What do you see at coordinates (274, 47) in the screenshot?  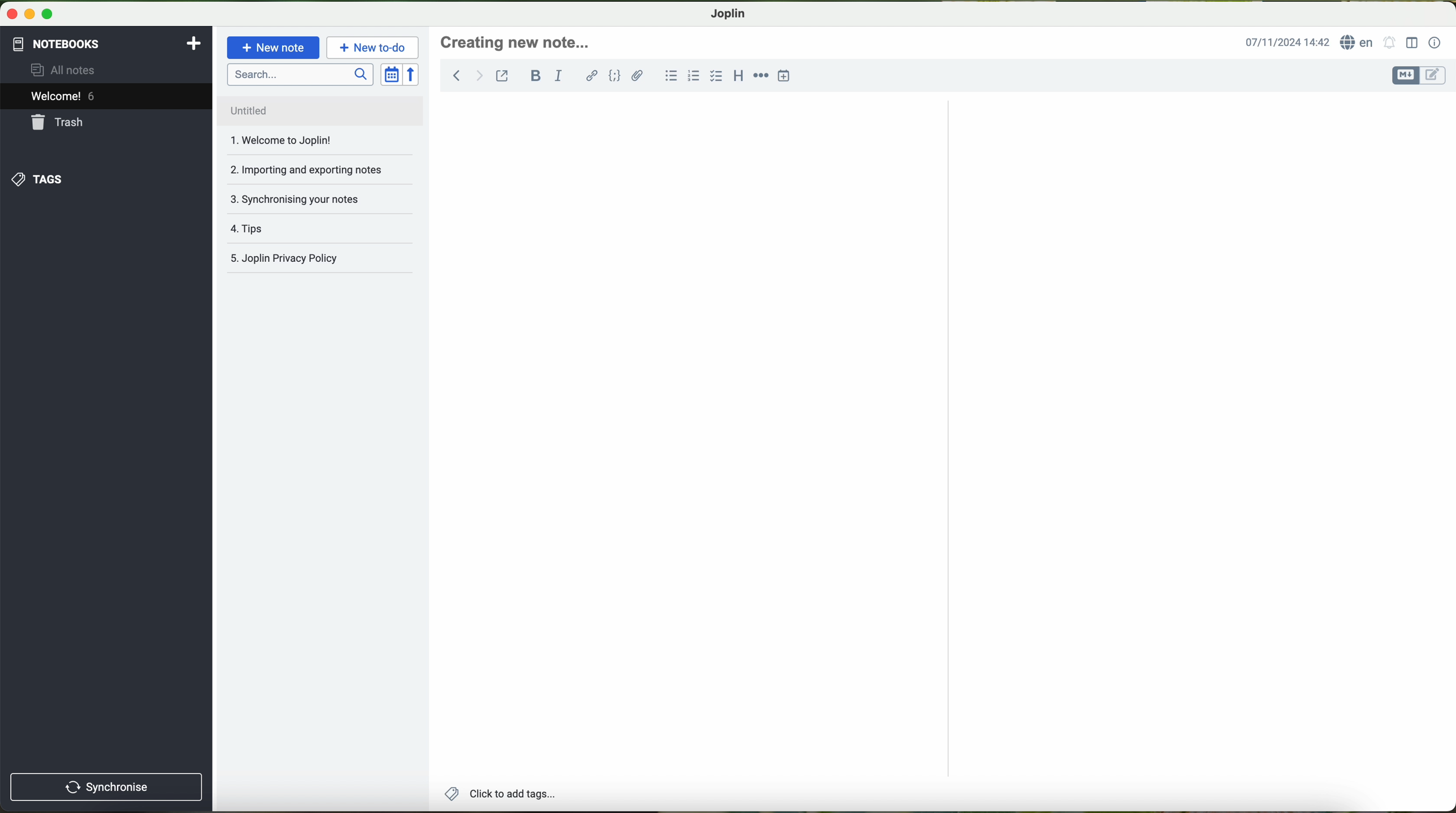 I see `new note button` at bounding box center [274, 47].